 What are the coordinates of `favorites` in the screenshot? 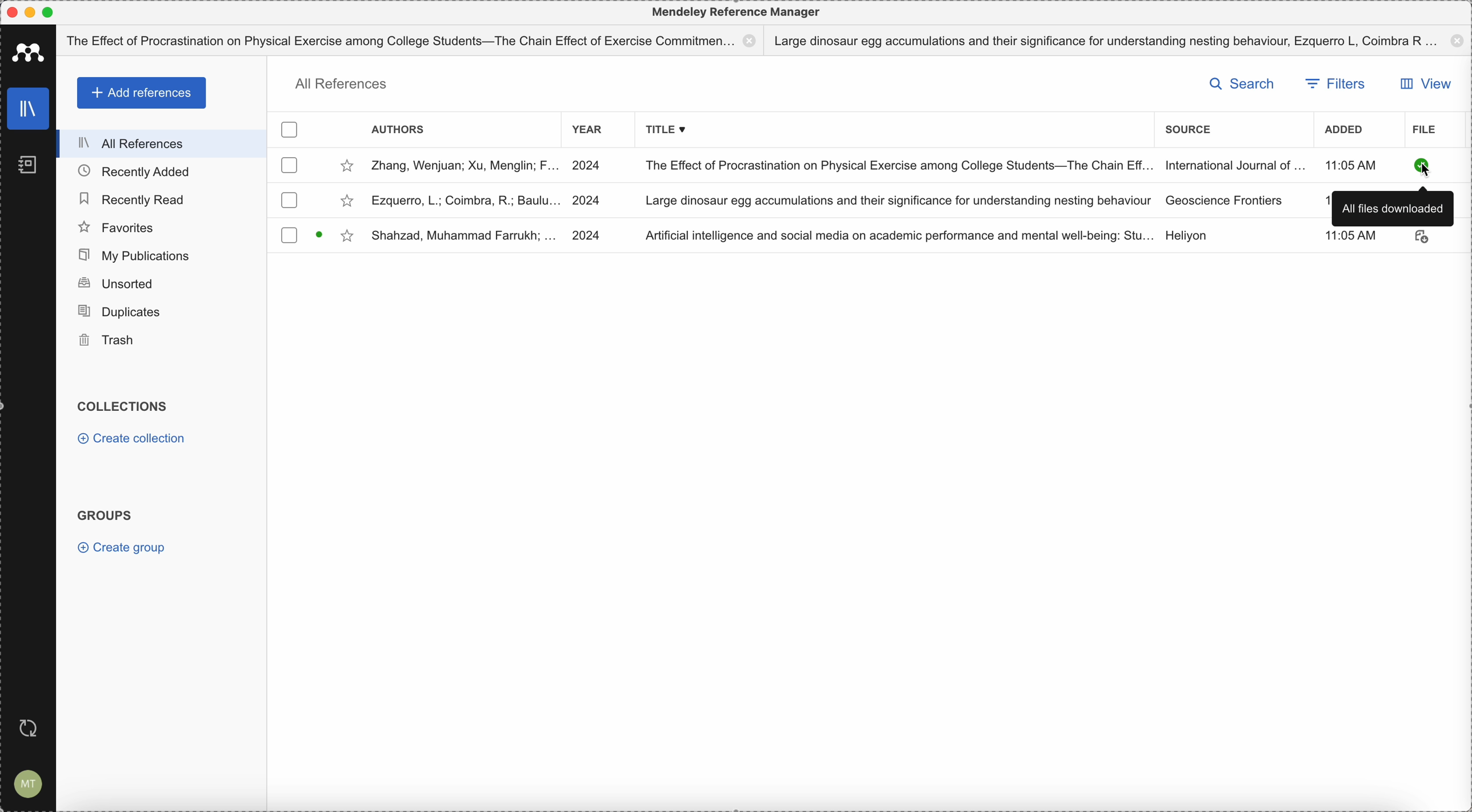 It's located at (119, 229).